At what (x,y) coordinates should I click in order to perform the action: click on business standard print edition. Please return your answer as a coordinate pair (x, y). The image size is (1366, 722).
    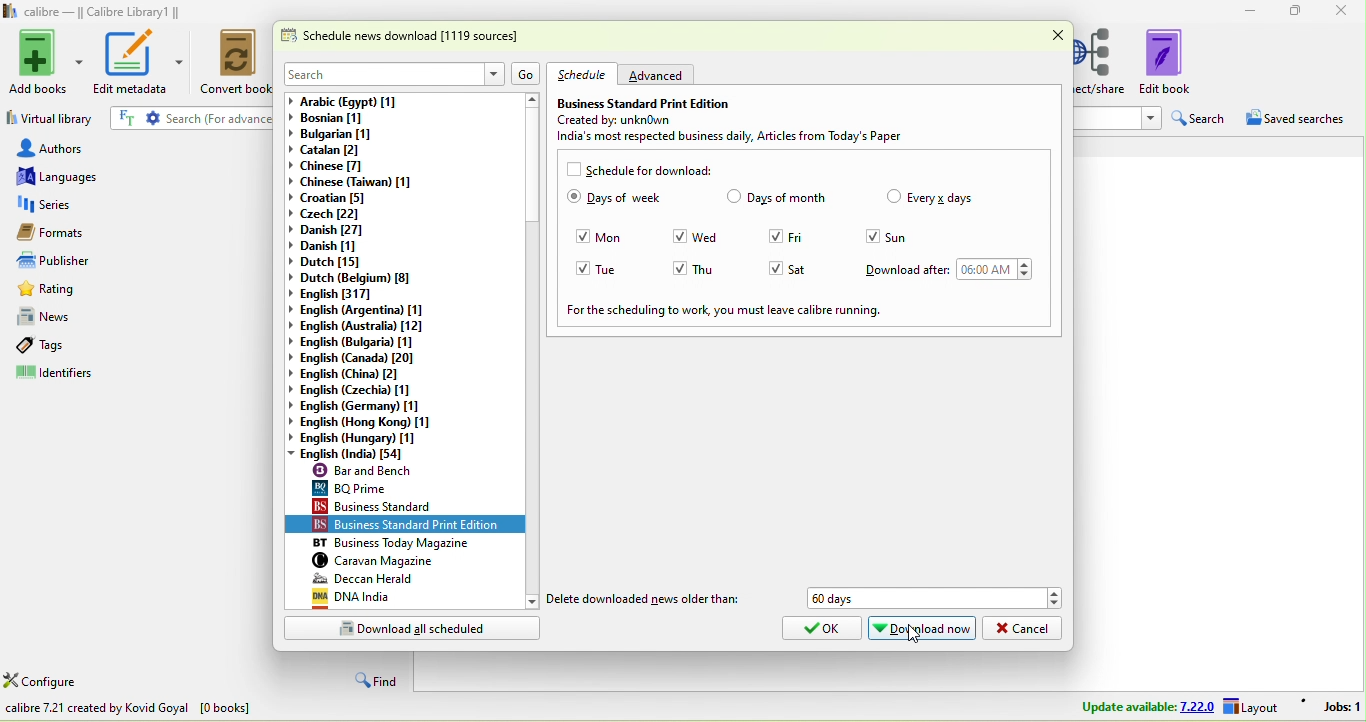
    Looking at the image, I should click on (413, 525).